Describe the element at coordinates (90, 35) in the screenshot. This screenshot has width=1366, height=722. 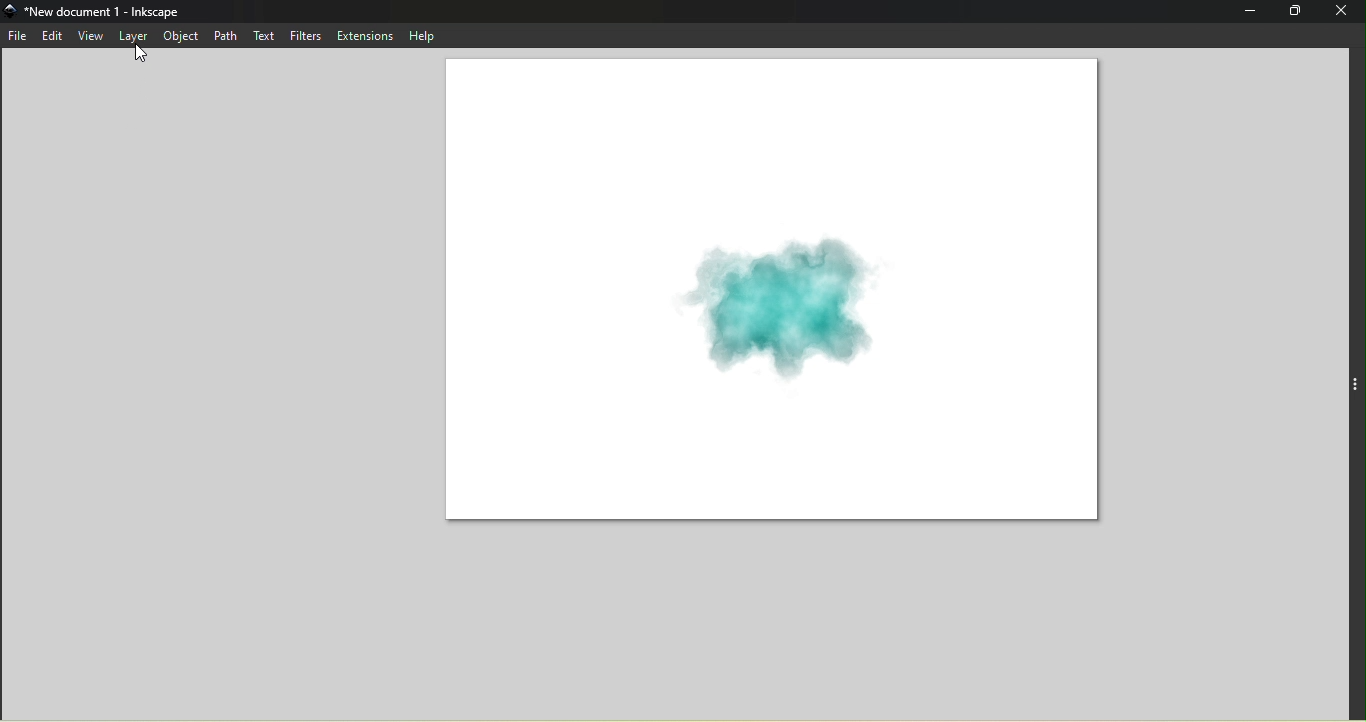
I see `View` at that location.